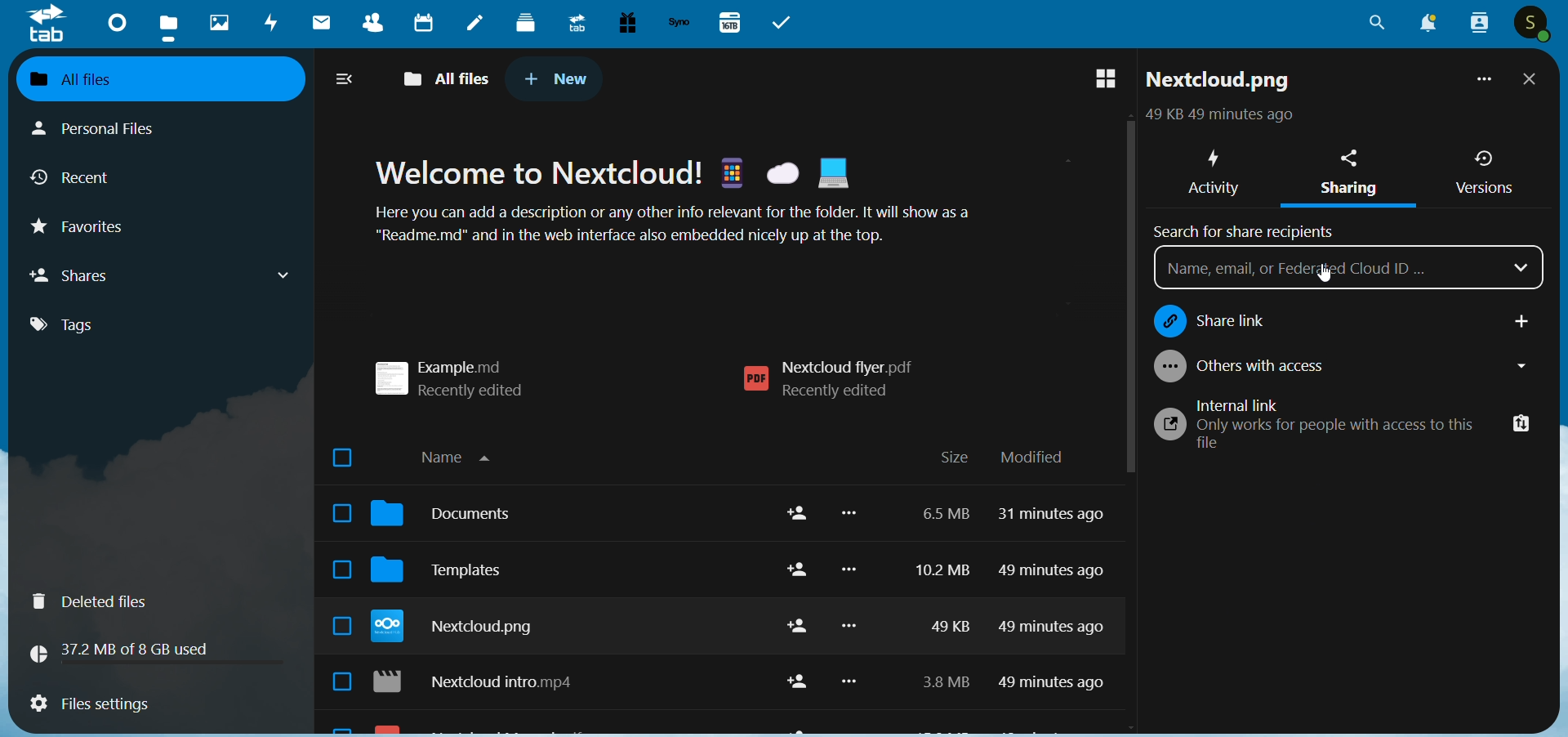  I want to click on people, so click(1477, 23).